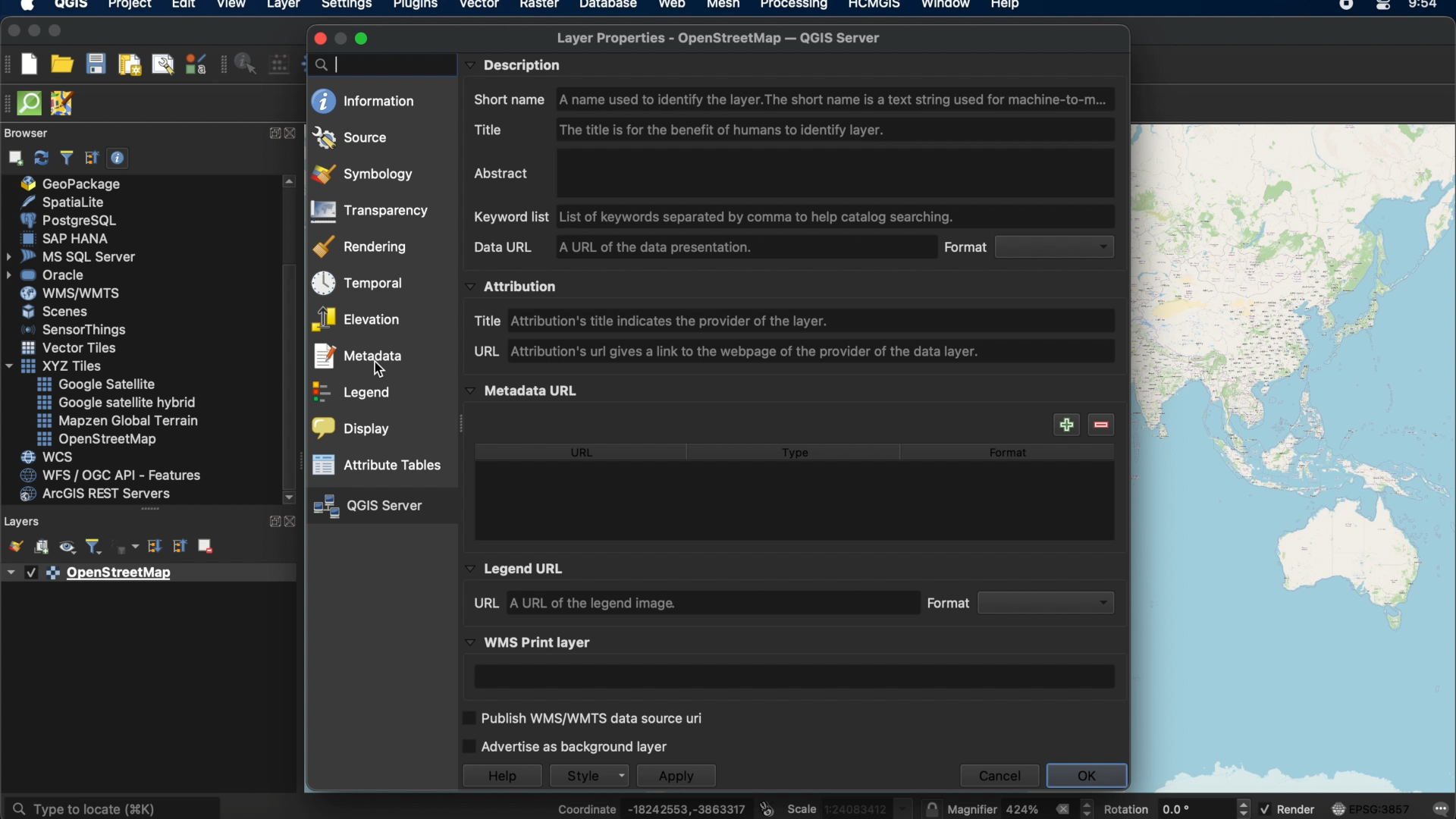 This screenshot has width=1456, height=819. What do you see at coordinates (516, 64) in the screenshot?
I see `description` at bounding box center [516, 64].